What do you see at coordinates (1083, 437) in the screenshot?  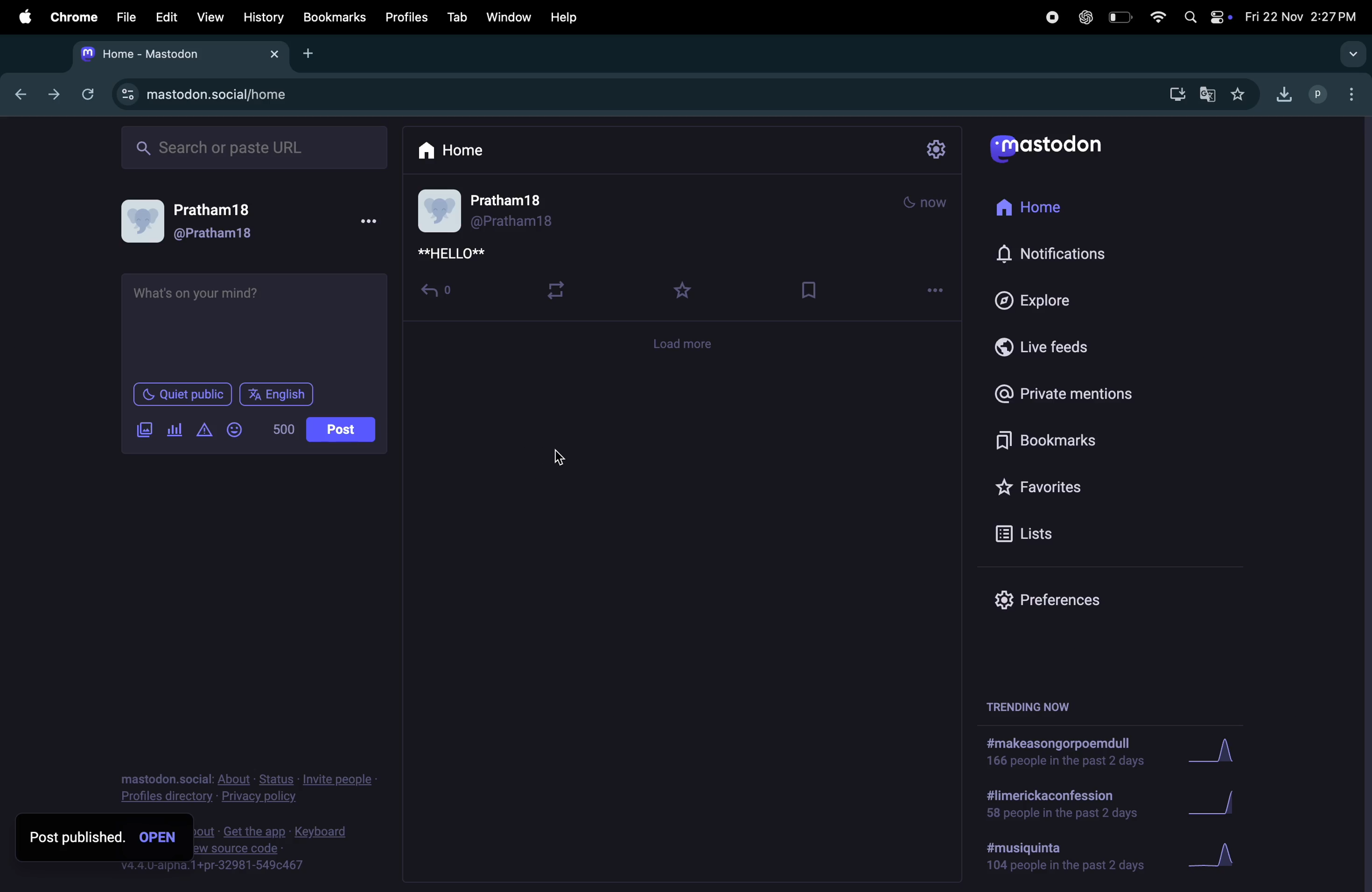 I see `bookmarks` at bounding box center [1083, 437].